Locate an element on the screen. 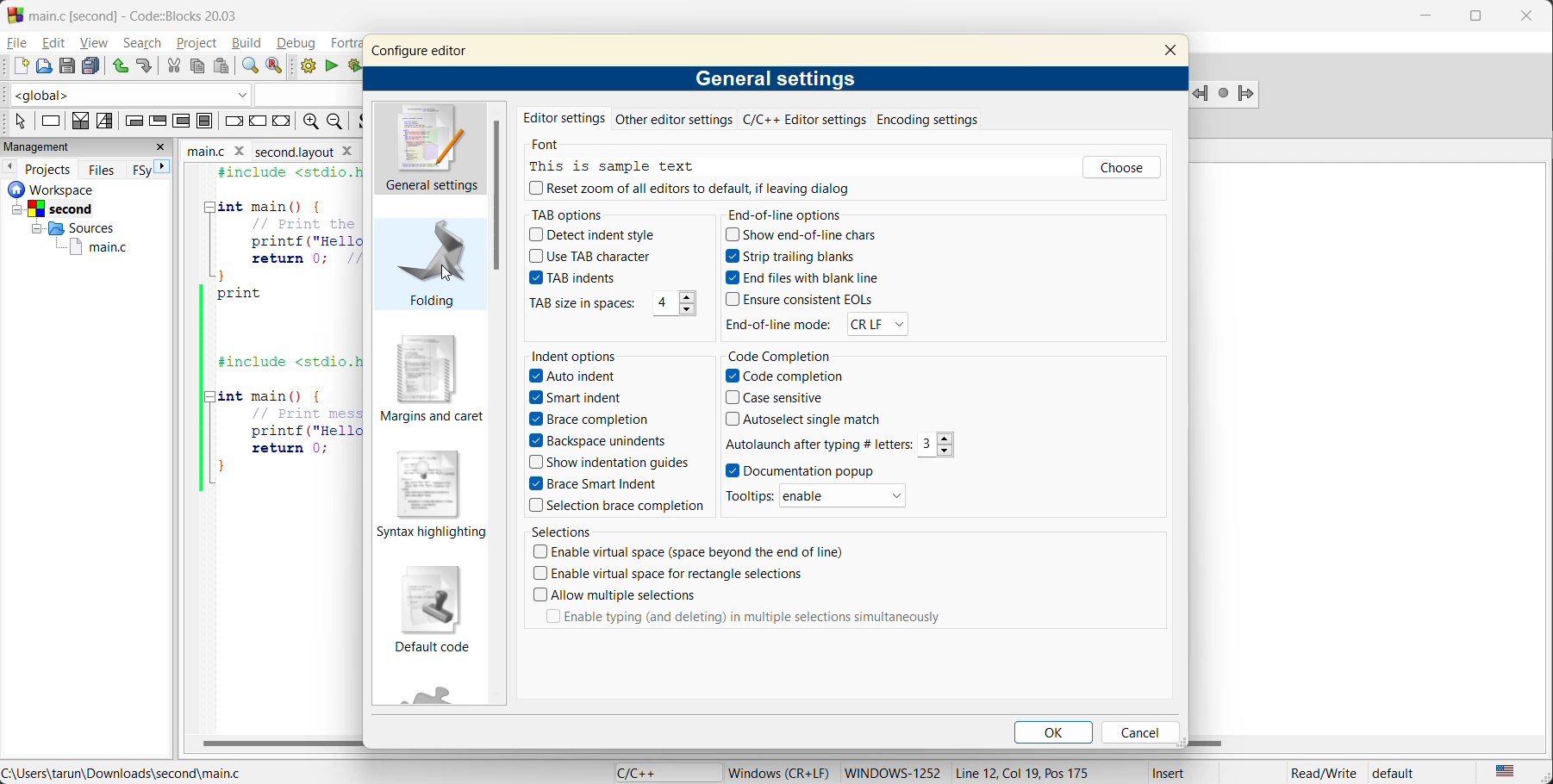 This screenshot has height=784, width=1553. run is located at coordinates (332, 65).